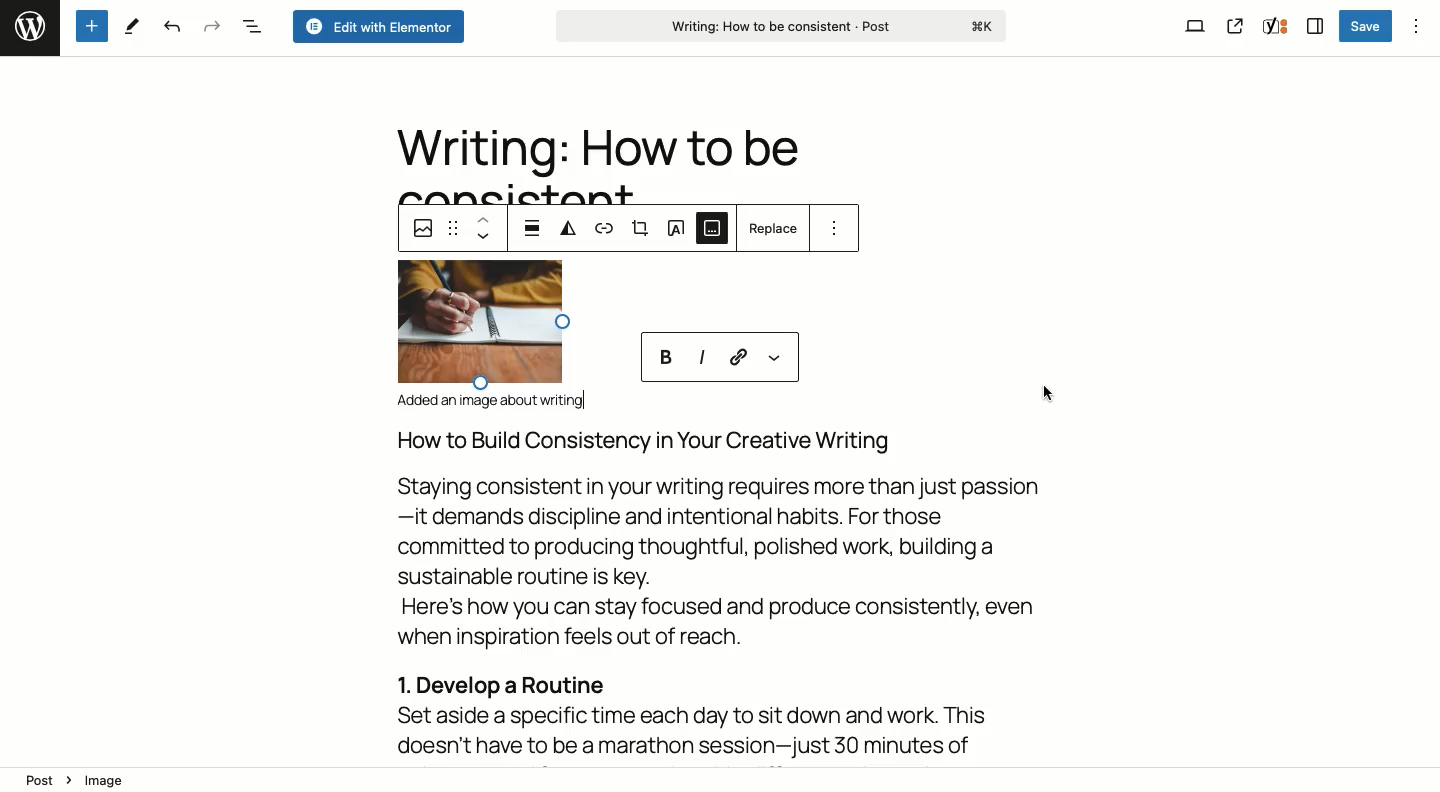 This screenshot has height=792, width=1440. What do you see at coordinates (595, 149) in the screenshot?
I see `Writing: How to be` at bounding box center [595, 149].